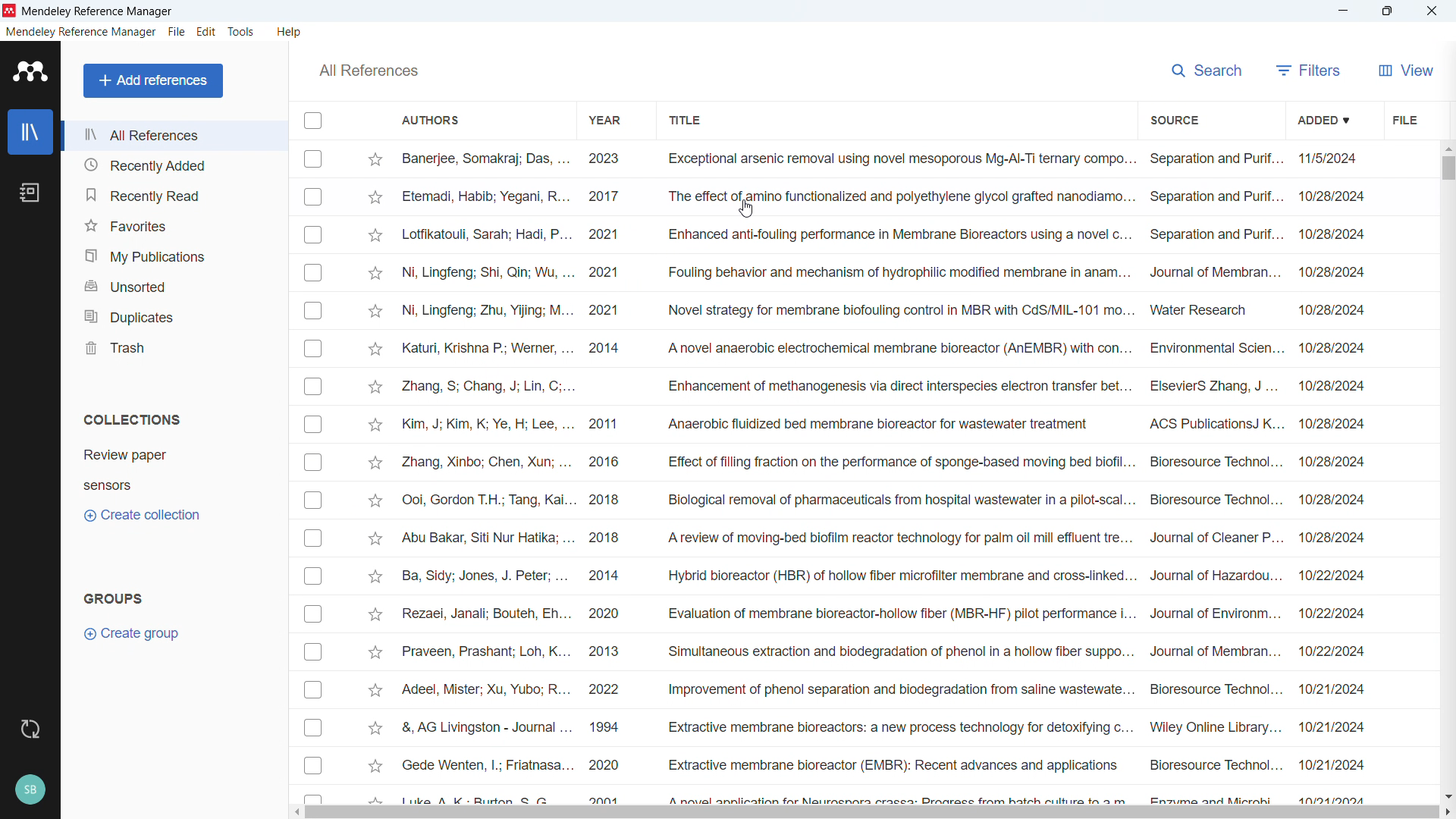 The image size is (1456, 819). Describe the element at coordinates (1447, 147) in the screenshot. I see `Scroll up ` at that location.